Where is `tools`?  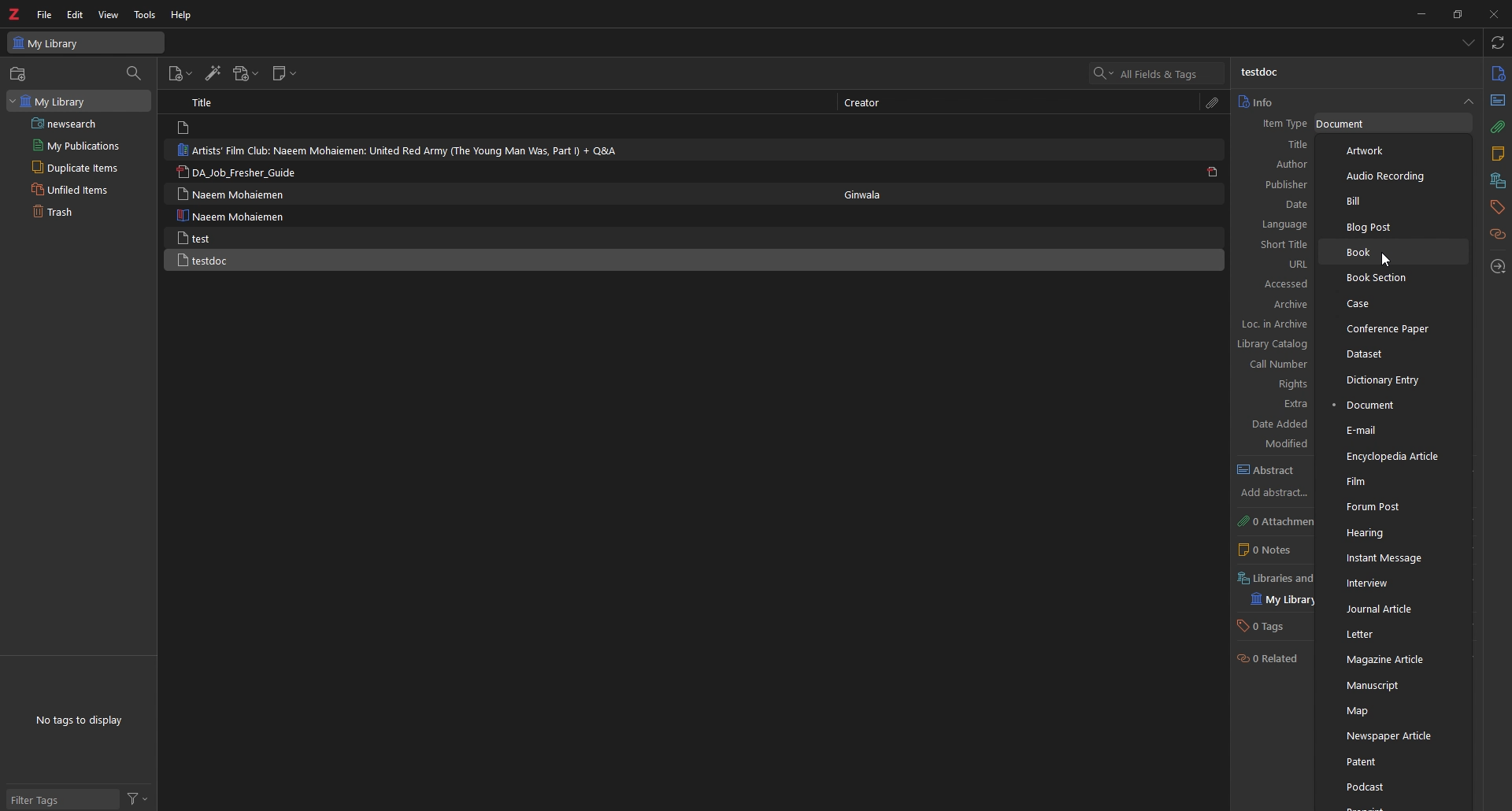
tools is located at coordinates (144, 15).